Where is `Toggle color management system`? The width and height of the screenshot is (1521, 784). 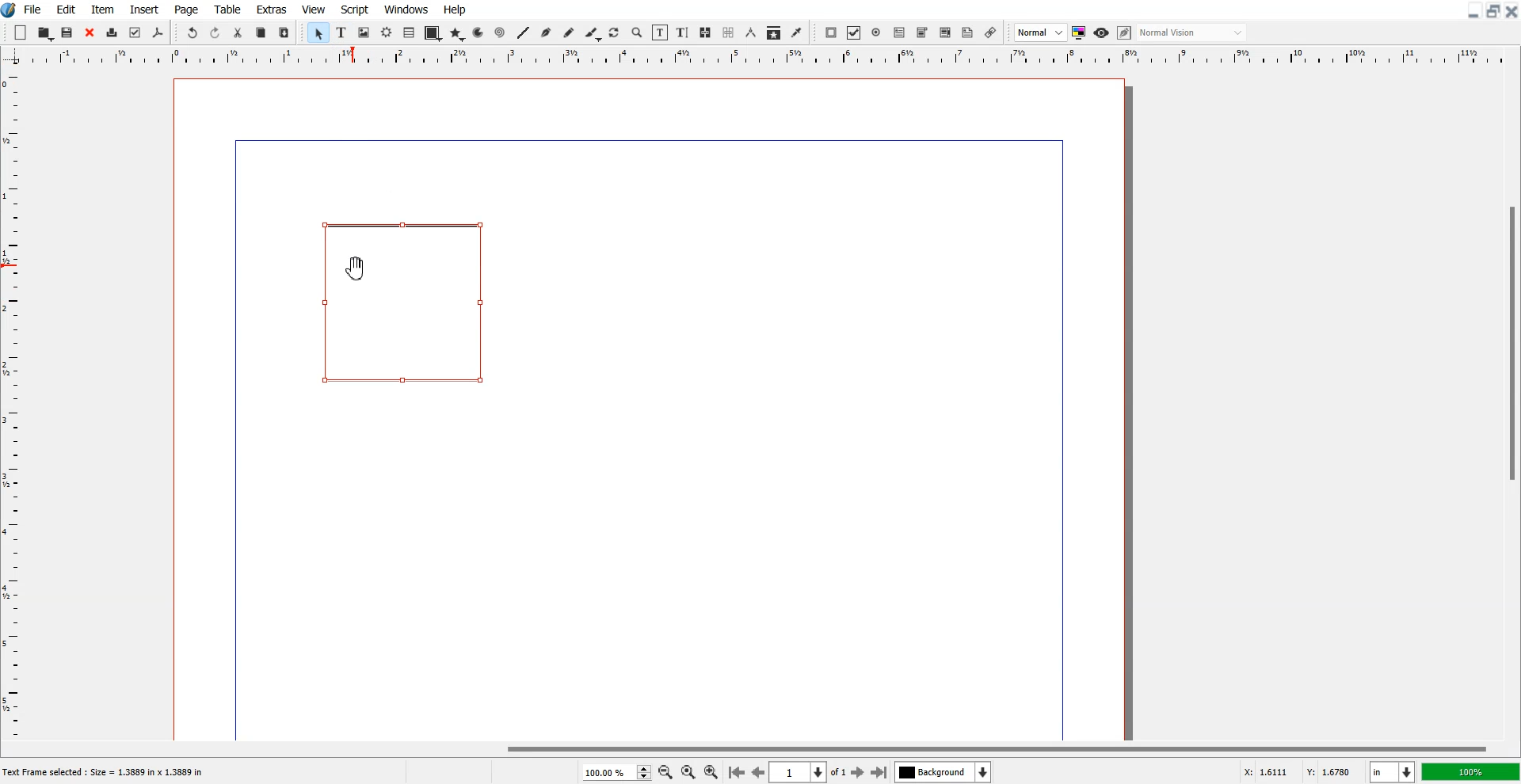
Toggle color management system is located at coordinates (1080, 32).